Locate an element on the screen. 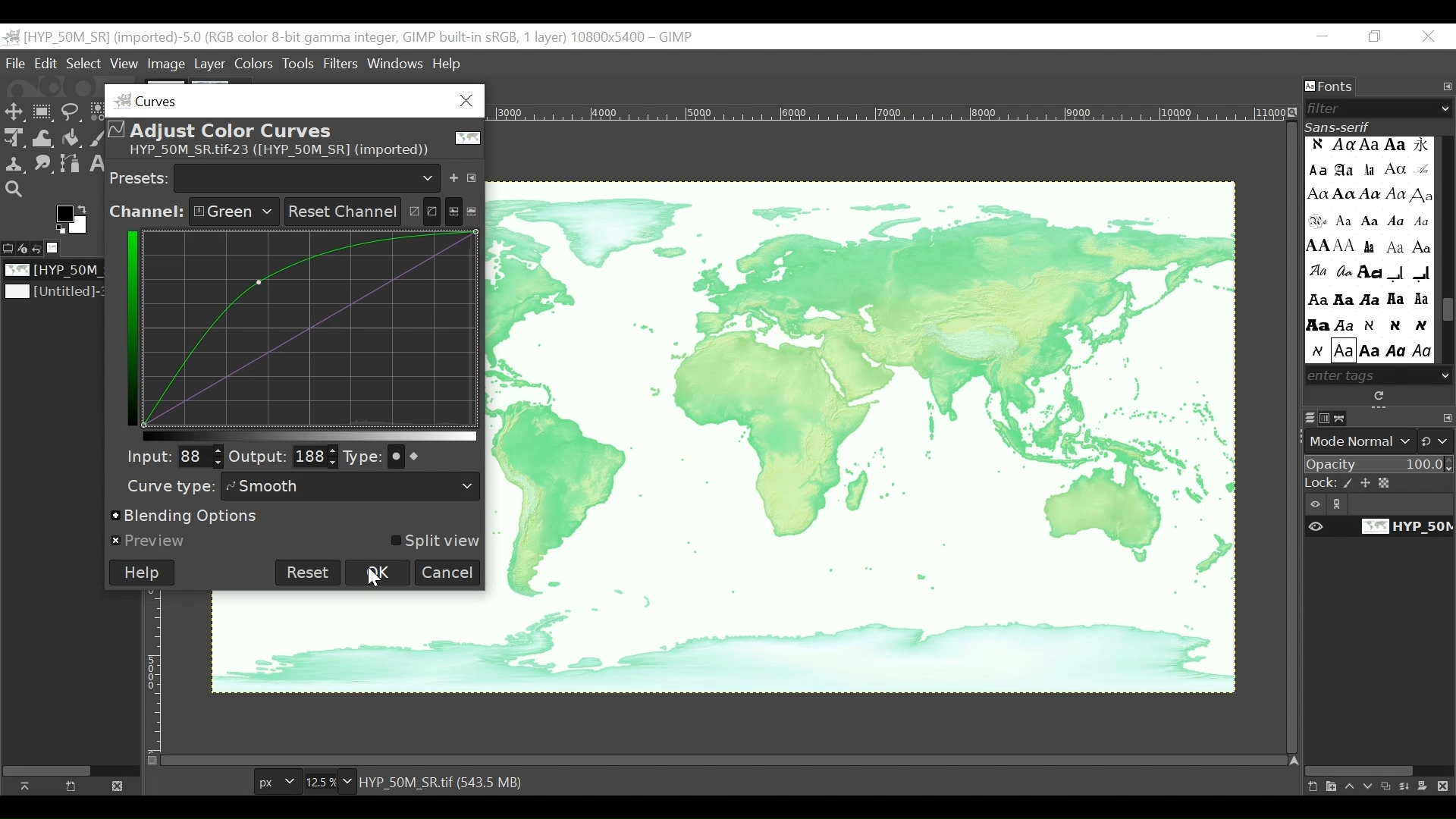 The height and width of the screenshot is (819, 1456). Preview is located at coordinates (149, 541).